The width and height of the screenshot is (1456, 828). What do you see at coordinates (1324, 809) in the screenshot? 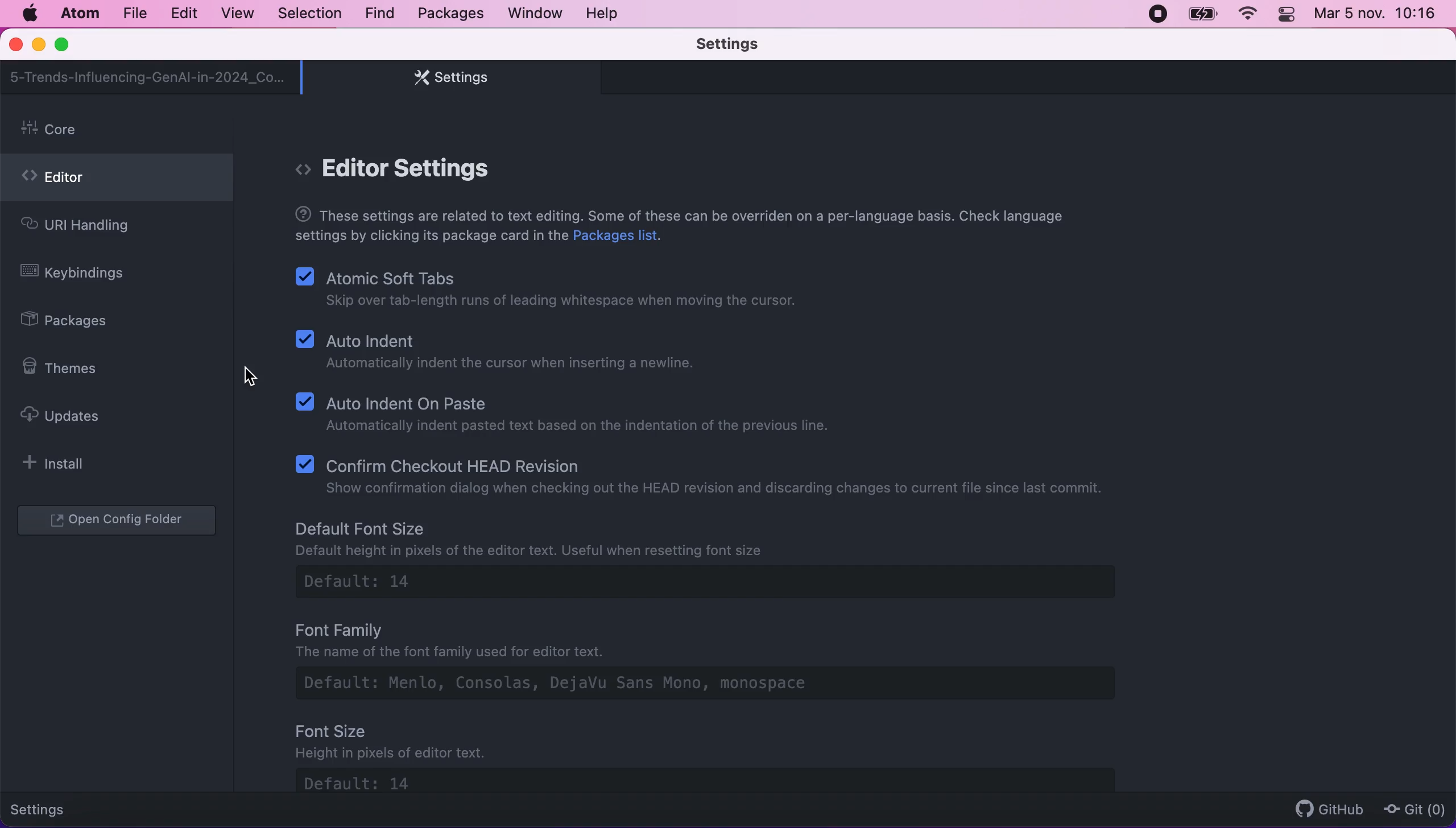
I see `github` at bounding box center [1324, 809].